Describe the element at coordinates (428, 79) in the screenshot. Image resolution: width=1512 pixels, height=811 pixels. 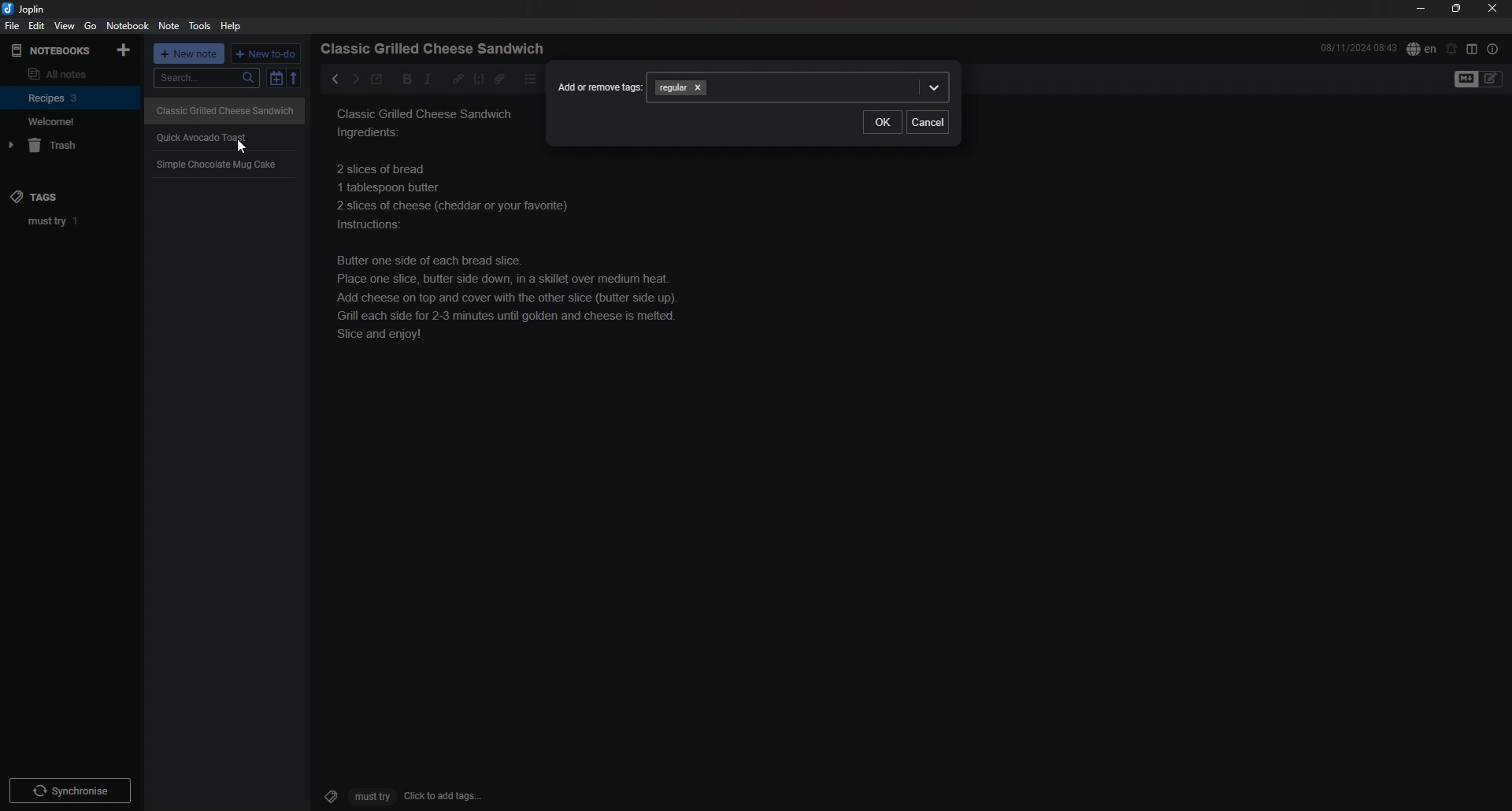
I see `italic` at that location.